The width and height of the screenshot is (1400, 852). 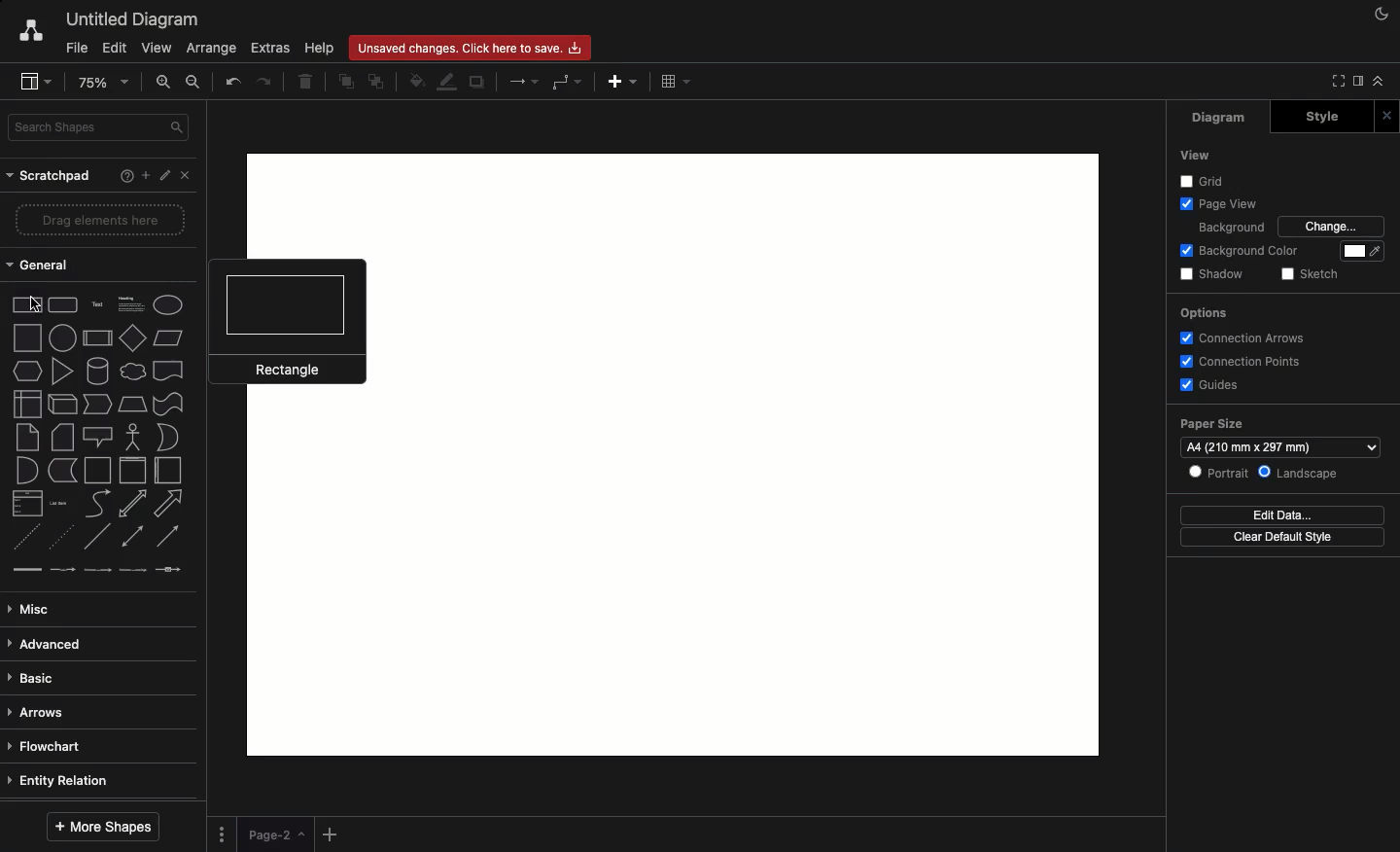 What do you see at coordinates (1240, 337) in the screenshot?
I see `Connection arrows` at bounding box center [1240, 337].